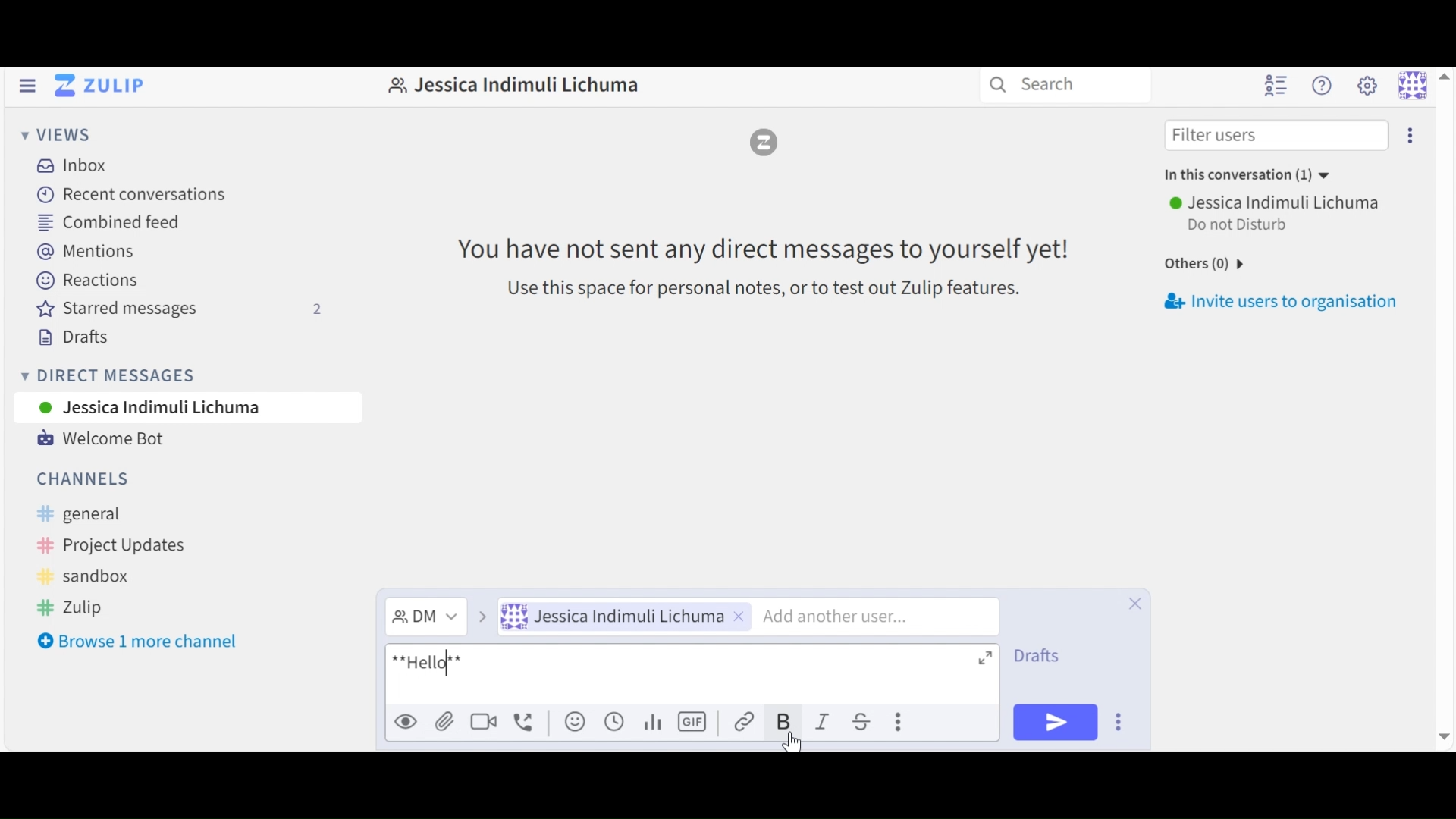  Describe the element at coordinates (1325, 86) in the screenshot. I see `Help menu` at that location.